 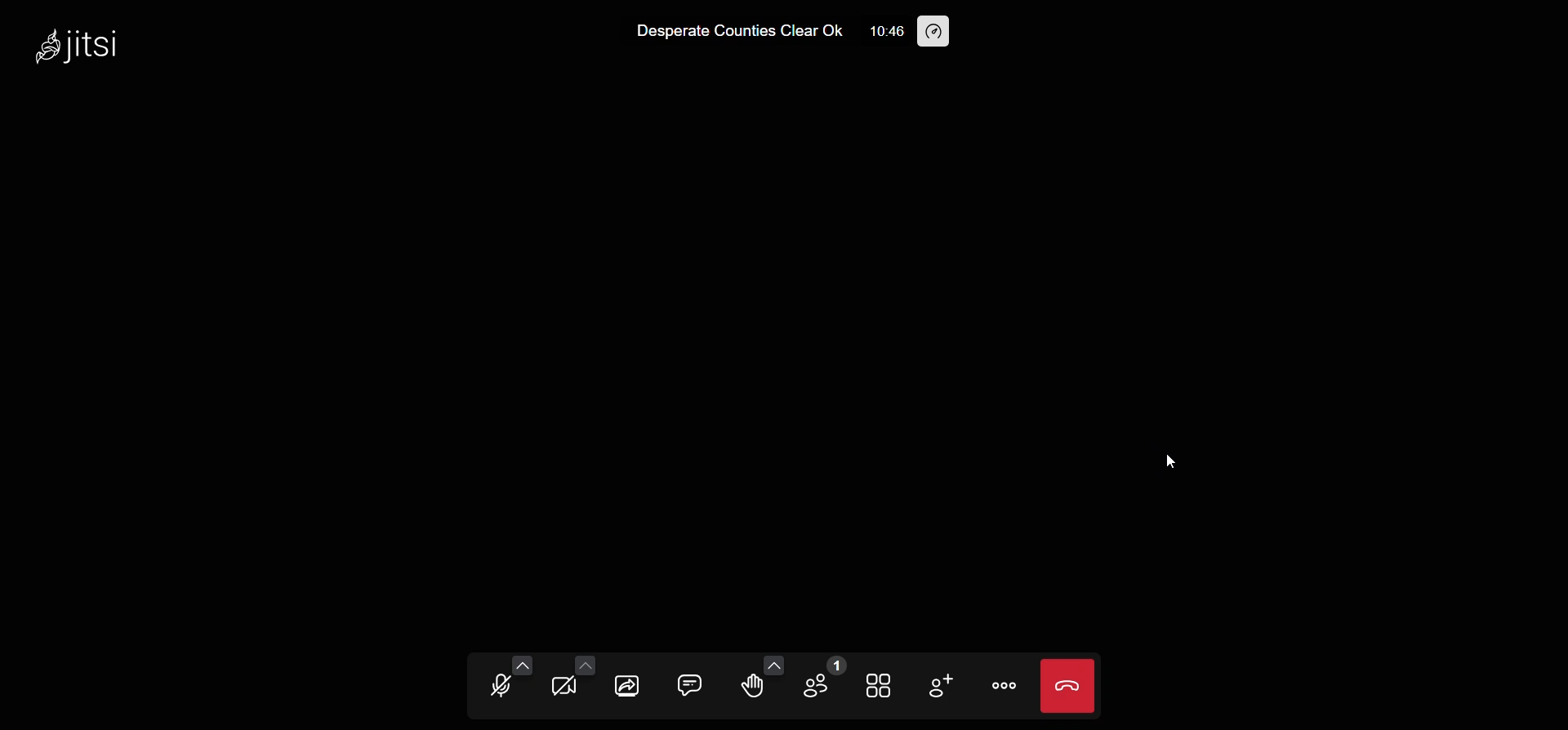 I want to click on raise hand, so click(x=748, y=688).